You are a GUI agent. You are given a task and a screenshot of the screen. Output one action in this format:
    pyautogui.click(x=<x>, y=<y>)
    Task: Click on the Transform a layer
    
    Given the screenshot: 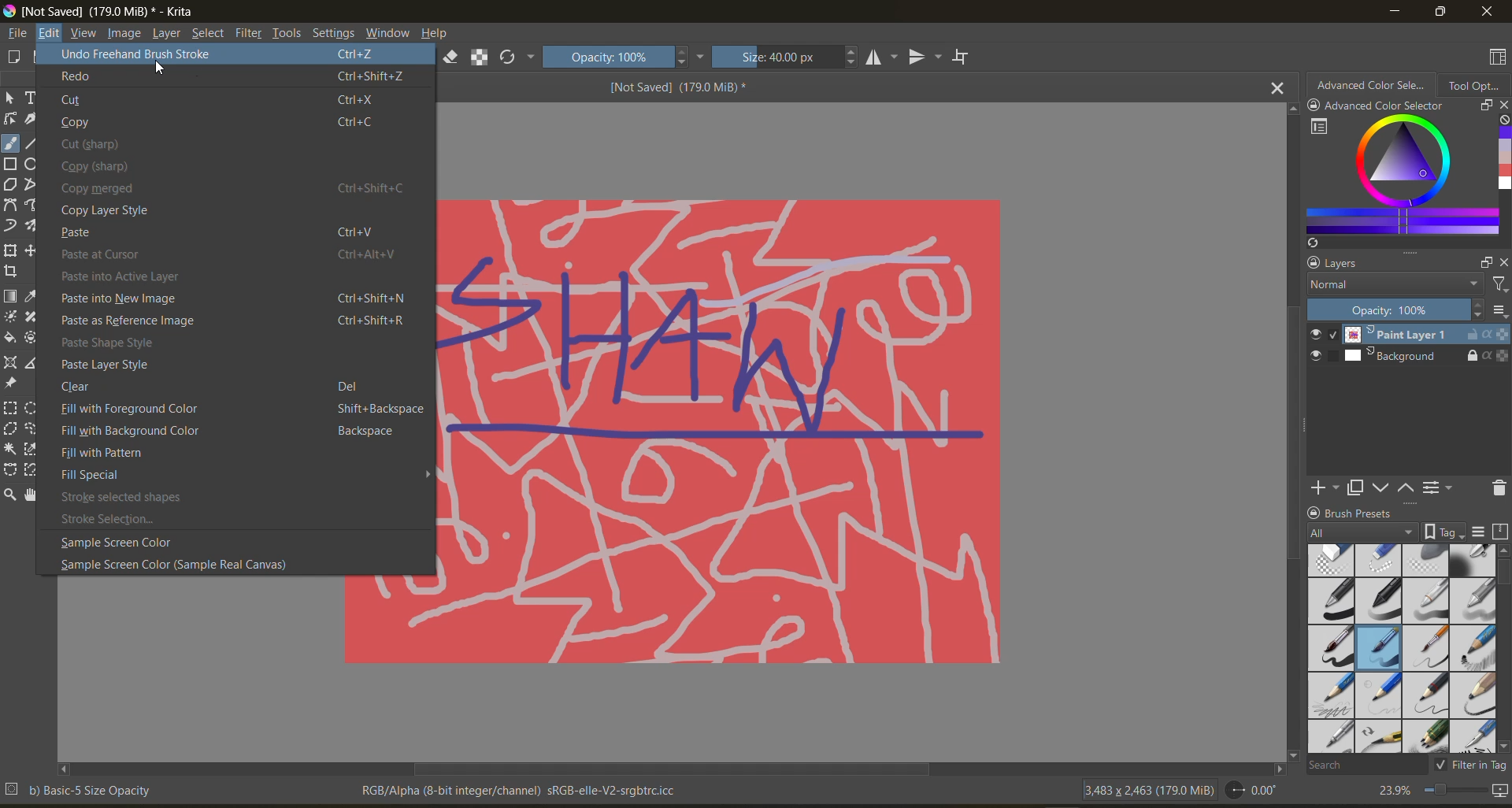 What is the action you would take?
    pyautogui.click(x=10, y=250)
    